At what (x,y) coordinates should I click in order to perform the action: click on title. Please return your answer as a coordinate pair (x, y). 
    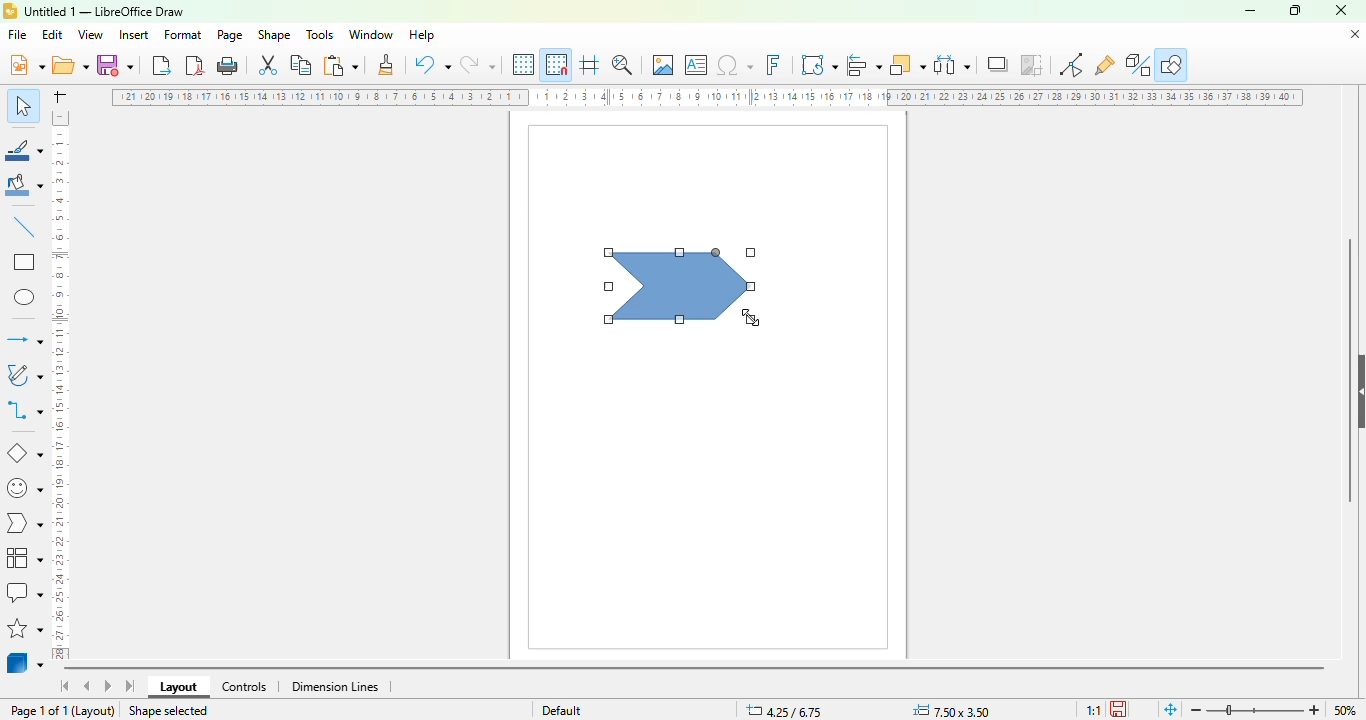
    Looking at the image, I should click on (104, 12).